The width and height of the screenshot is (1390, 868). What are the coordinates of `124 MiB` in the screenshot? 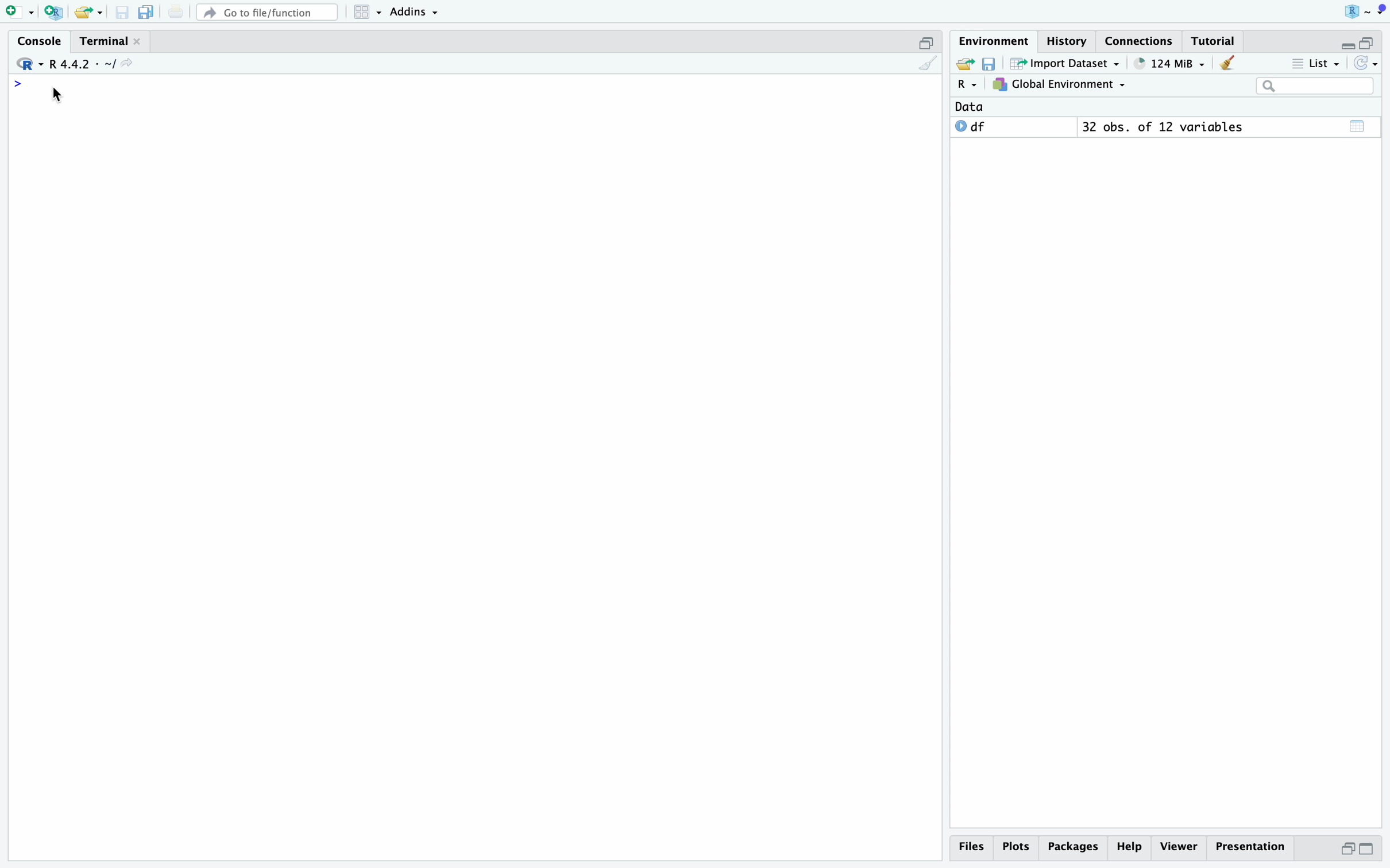 It's located at (1171, 64).